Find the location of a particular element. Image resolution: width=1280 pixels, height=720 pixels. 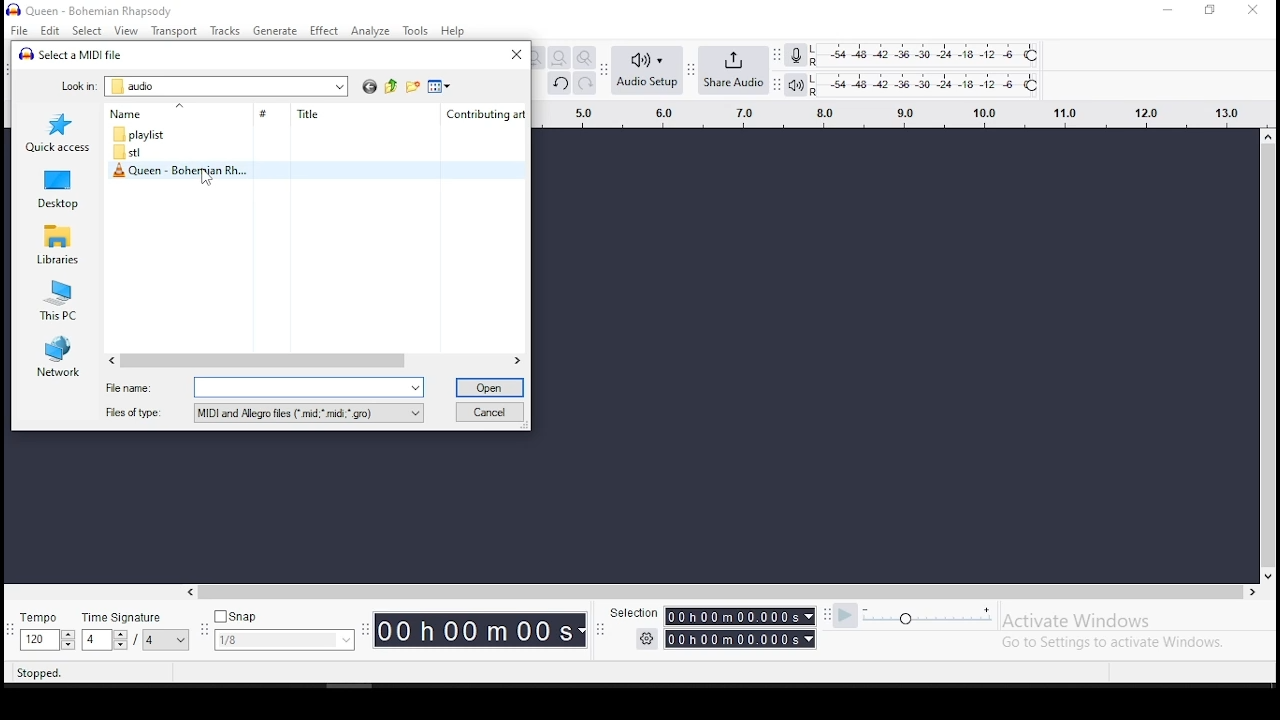

new folder is located at coordinates (415, 85).